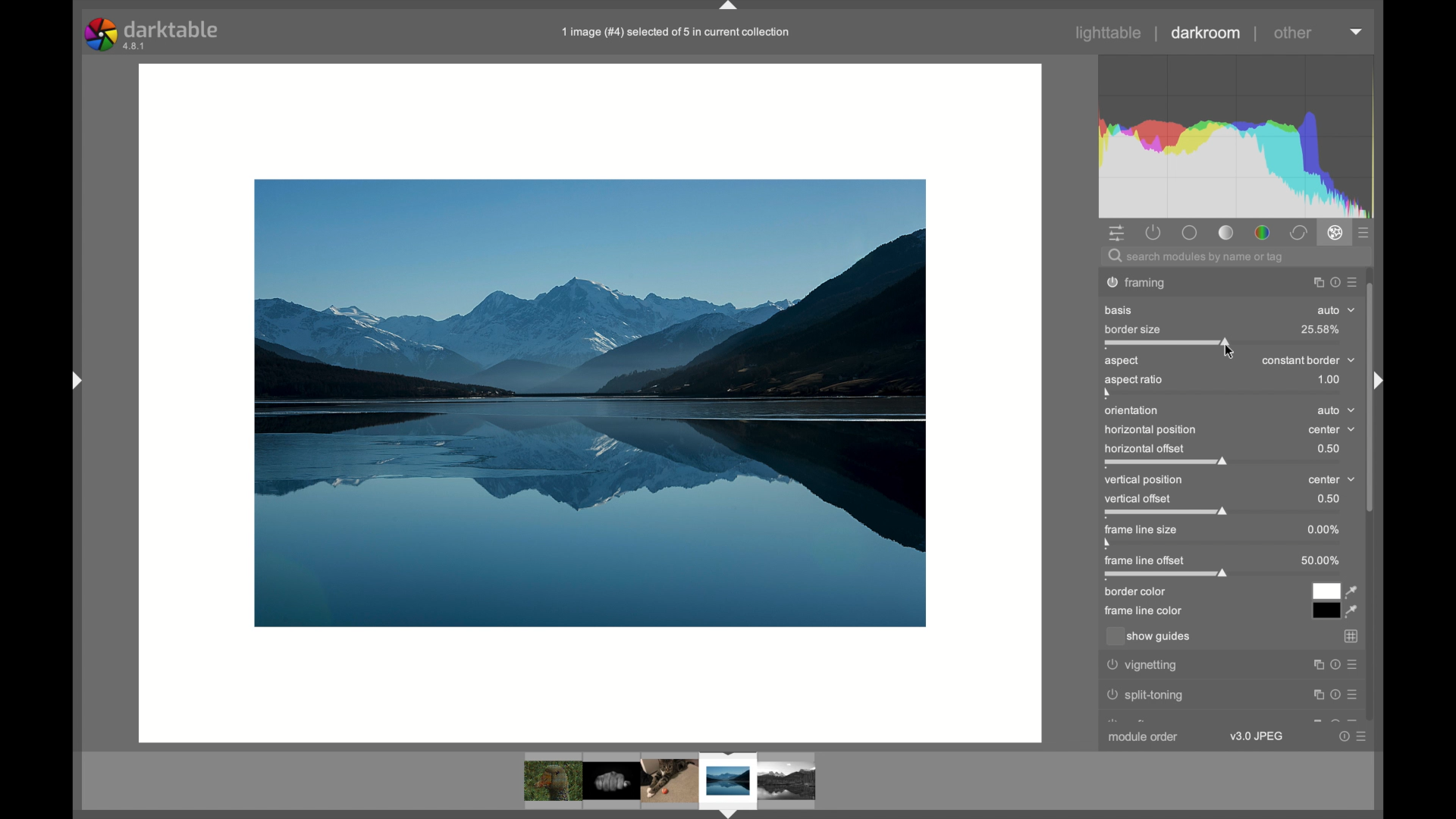  I want to click on frame line color, so click(1144, 612).